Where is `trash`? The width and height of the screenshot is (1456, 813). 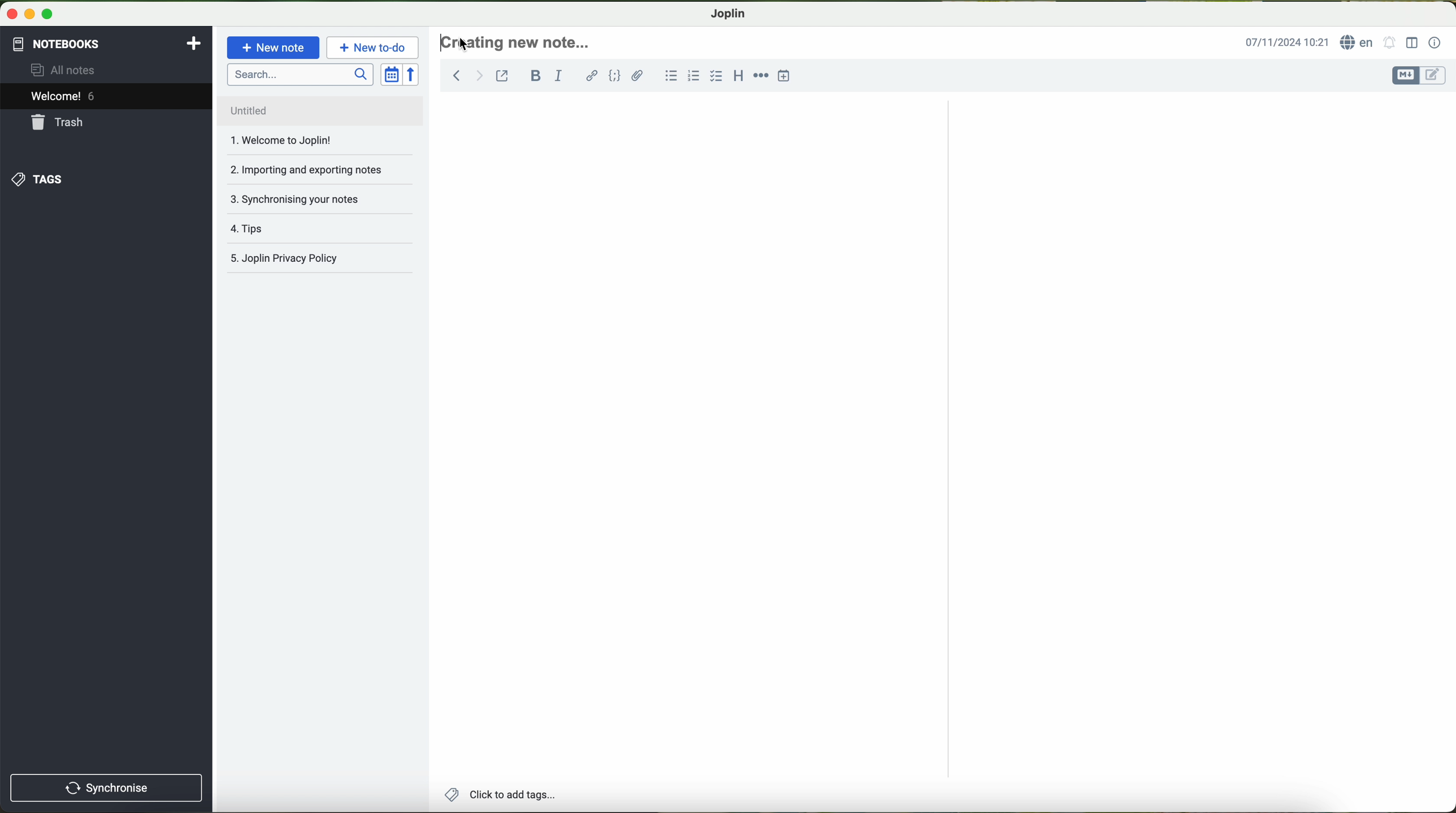
trash is located at coordinates (59, 122).